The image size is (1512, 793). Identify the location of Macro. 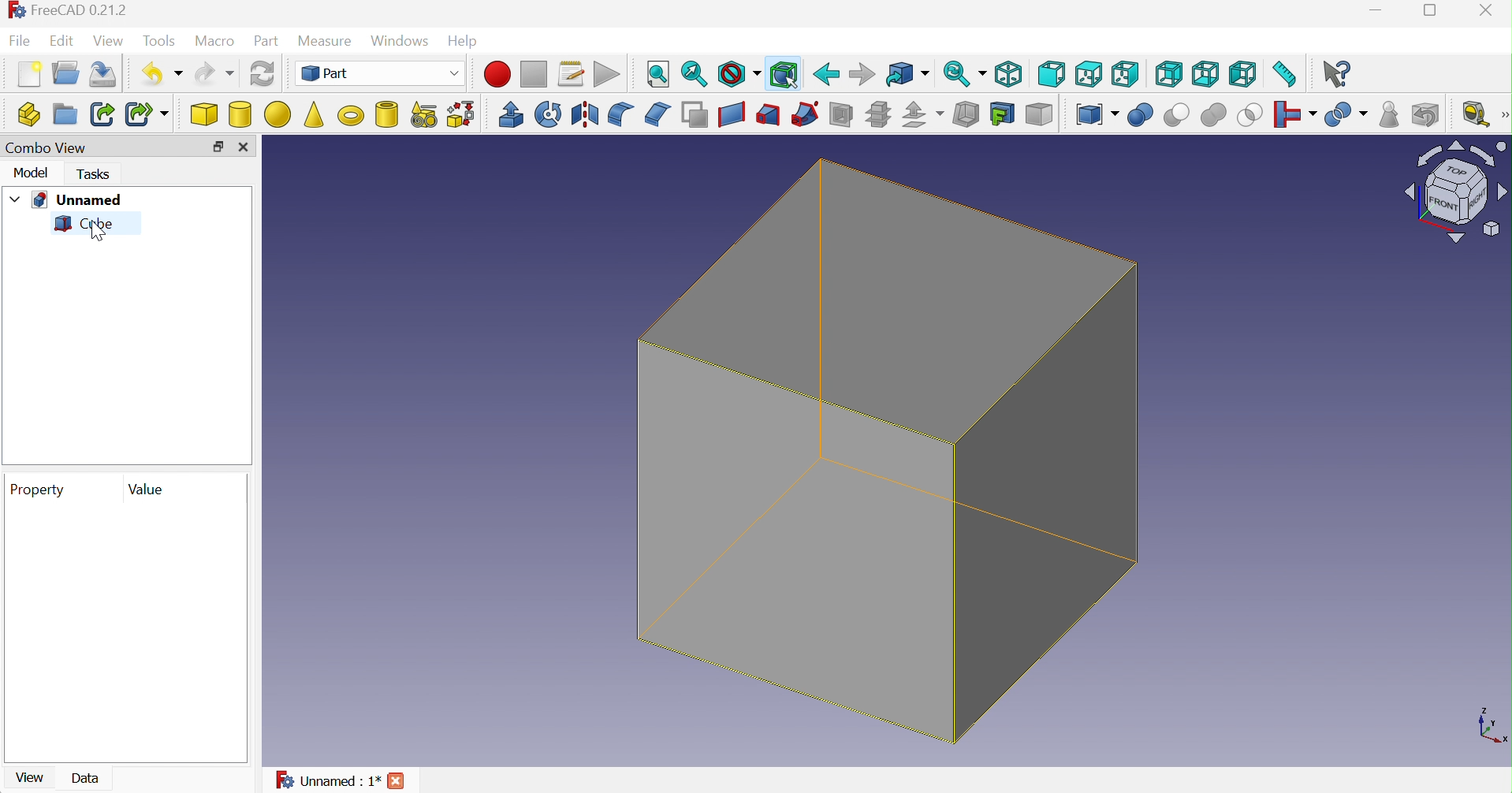
(217, 43).